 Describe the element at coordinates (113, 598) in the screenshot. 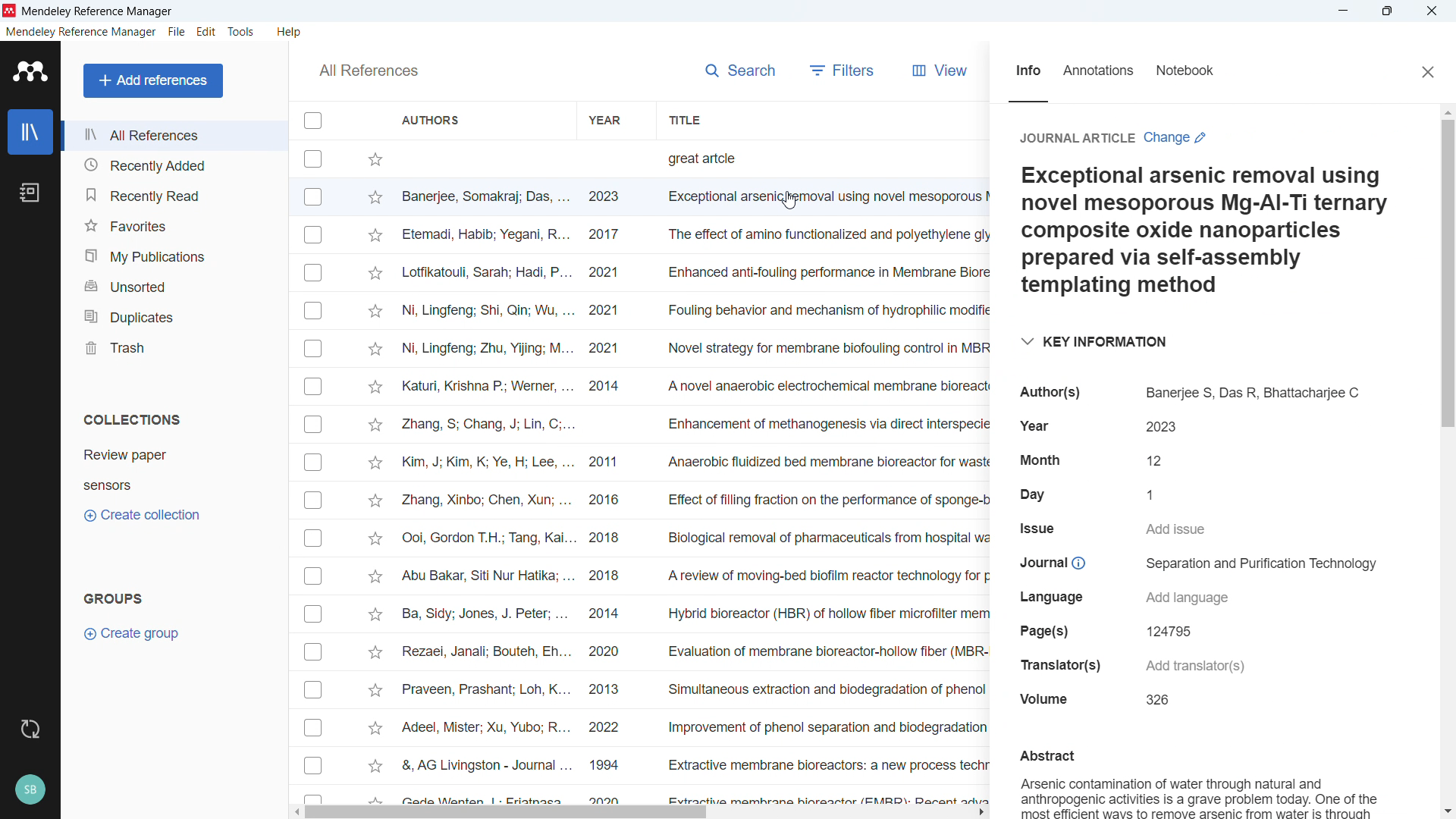

I see `Groups ` at that location.